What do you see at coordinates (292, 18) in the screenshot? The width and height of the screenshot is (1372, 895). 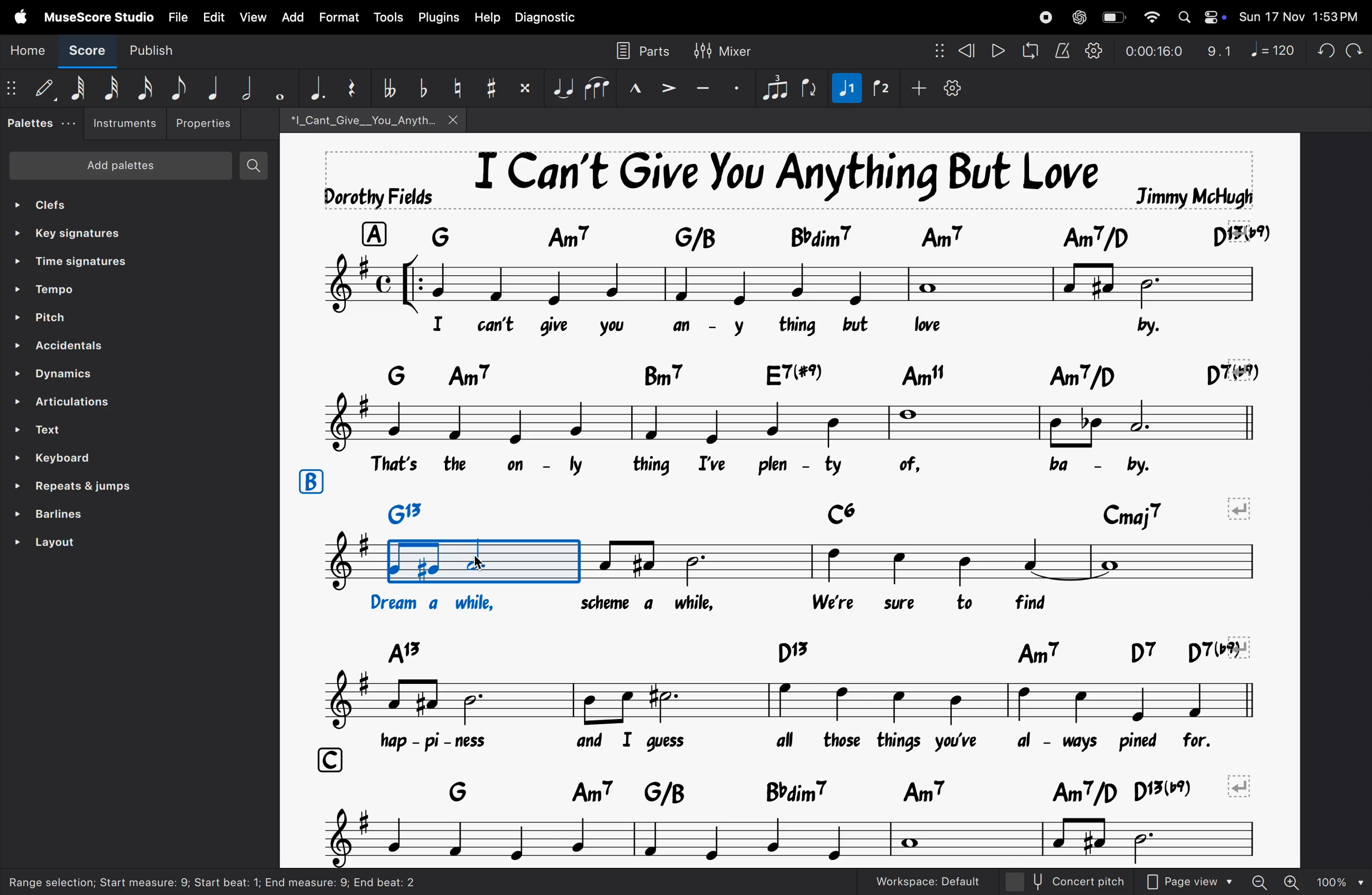 I see `add` at bounding box center [292, 18].